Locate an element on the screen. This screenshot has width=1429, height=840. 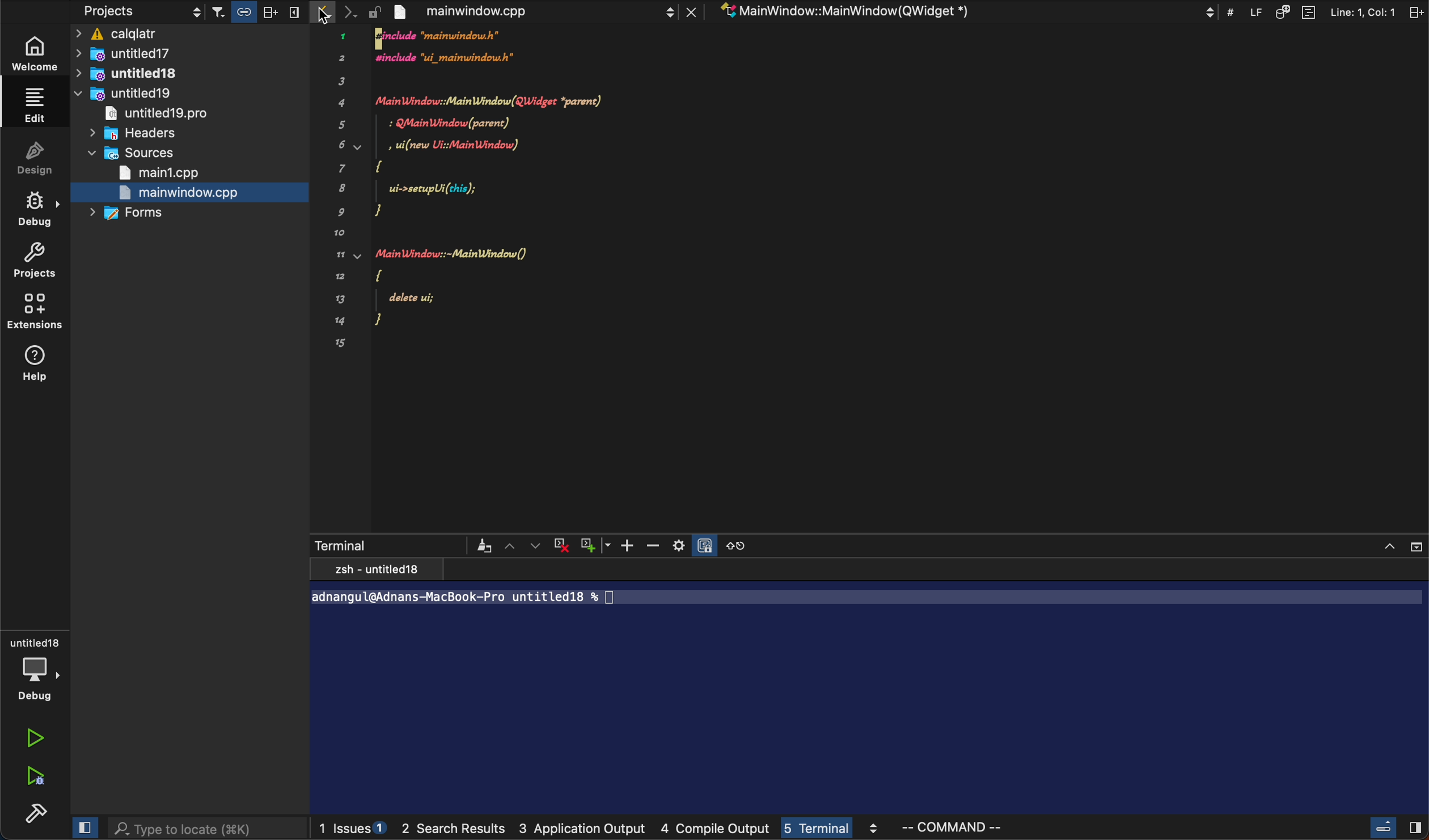
filter is located at coordinates (481, 546).